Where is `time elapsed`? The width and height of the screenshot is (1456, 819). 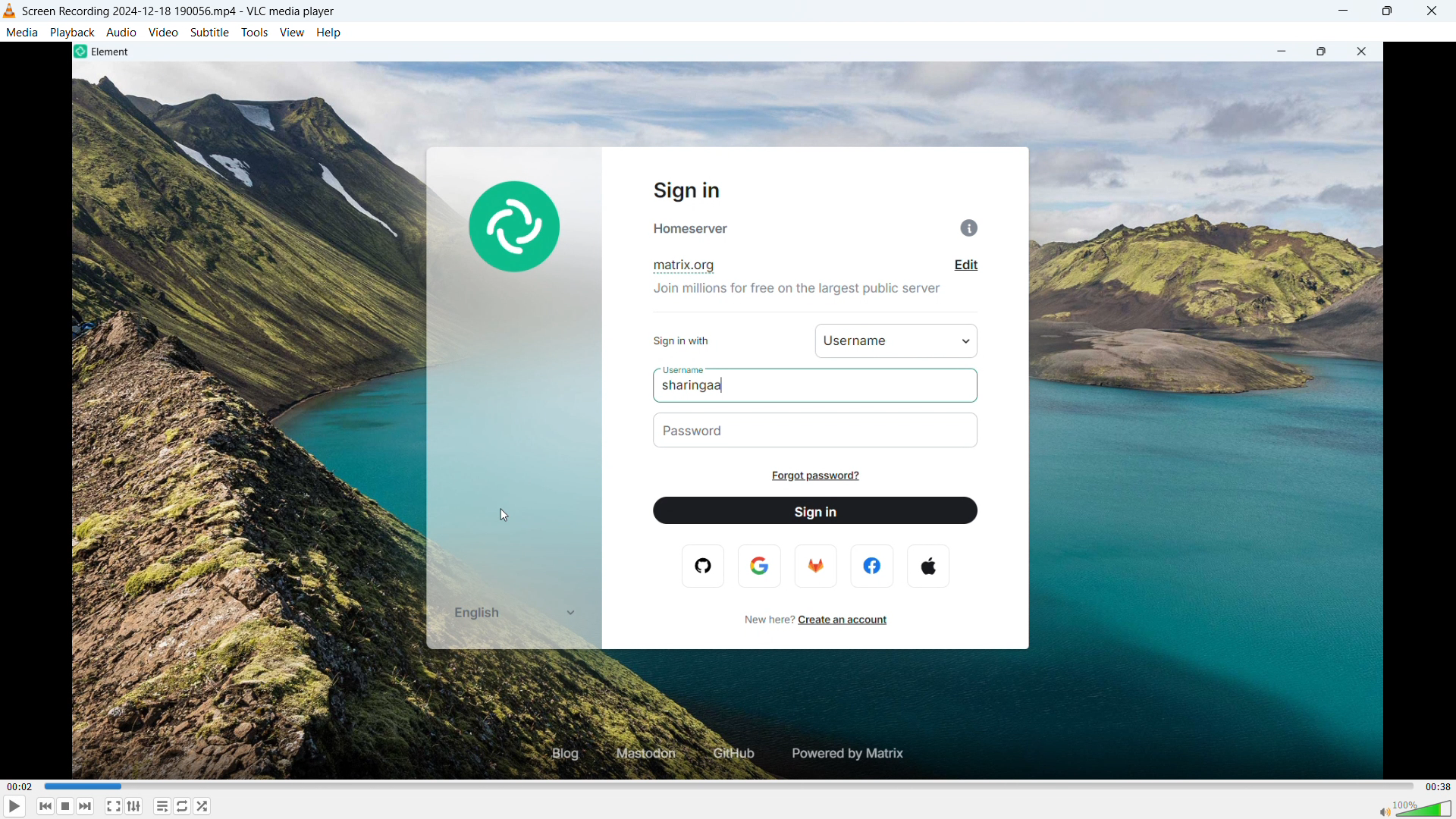 time elapsed is located at coordinates (20, 787).